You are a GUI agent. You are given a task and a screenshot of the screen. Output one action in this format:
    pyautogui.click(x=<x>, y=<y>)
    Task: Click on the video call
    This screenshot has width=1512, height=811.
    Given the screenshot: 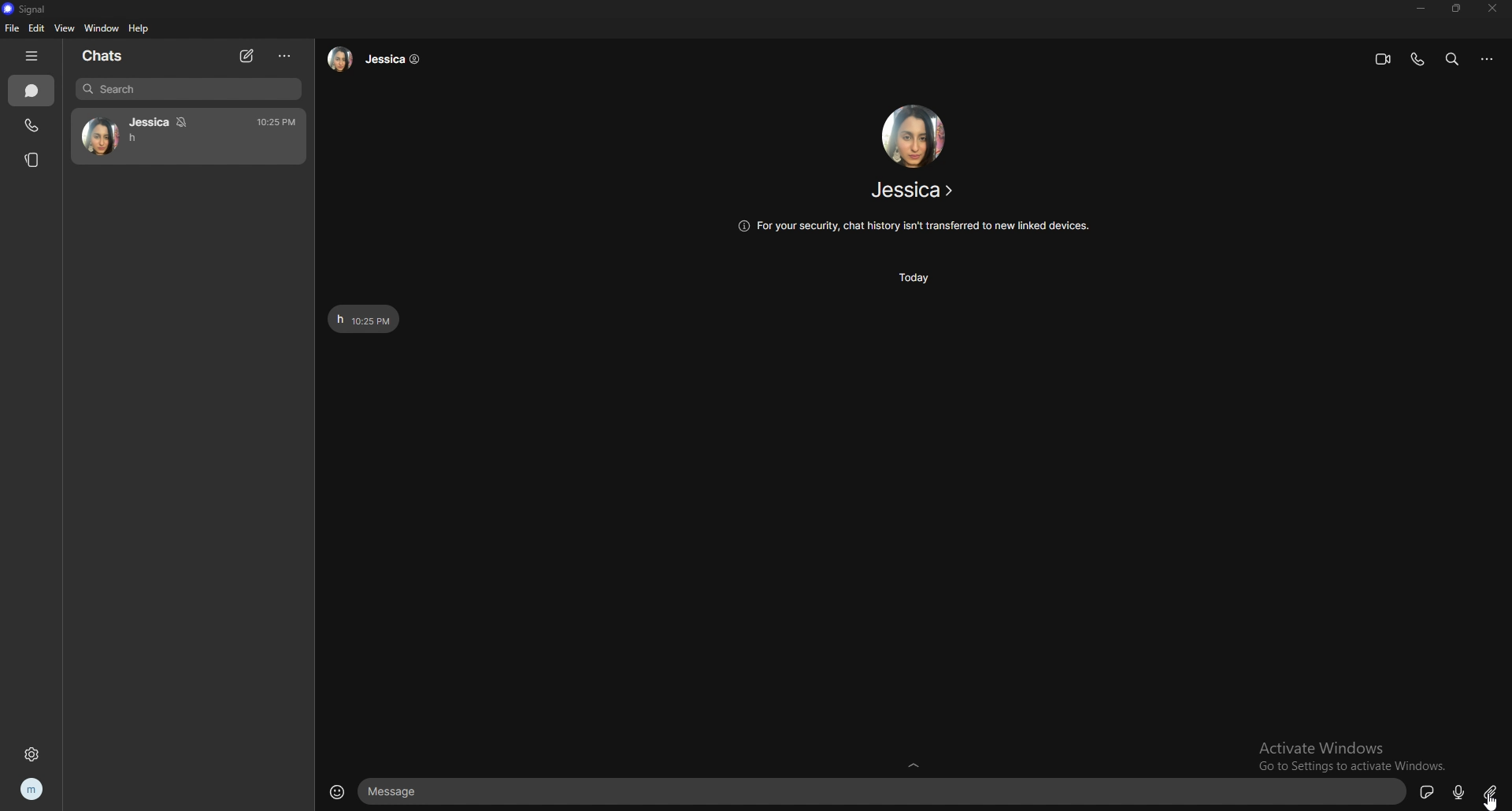 What is the action you would take?
    pyautogui.click(x=1383, y=59)
    